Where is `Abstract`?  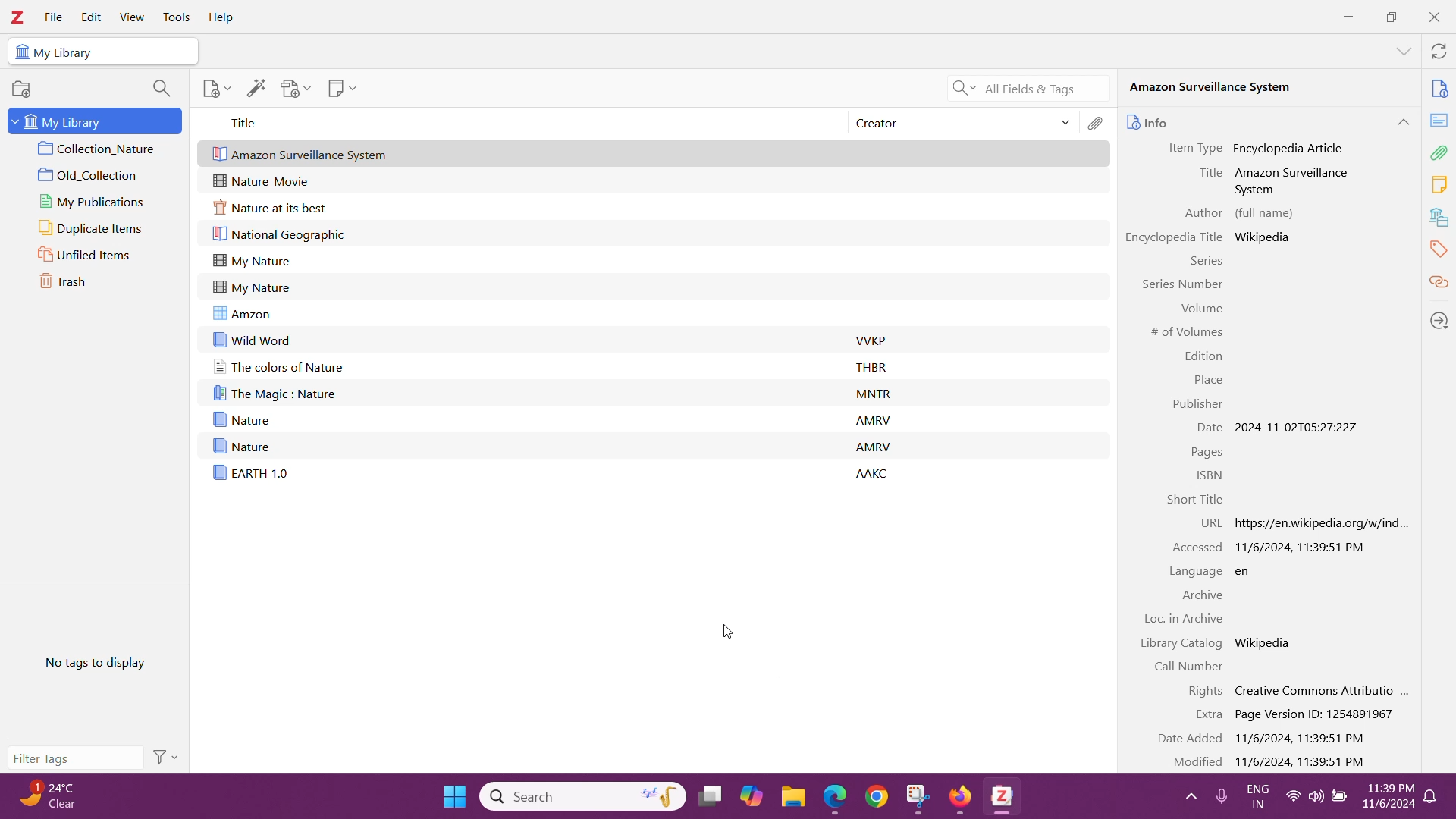 Abstract is located at coordinates (1439, 123).